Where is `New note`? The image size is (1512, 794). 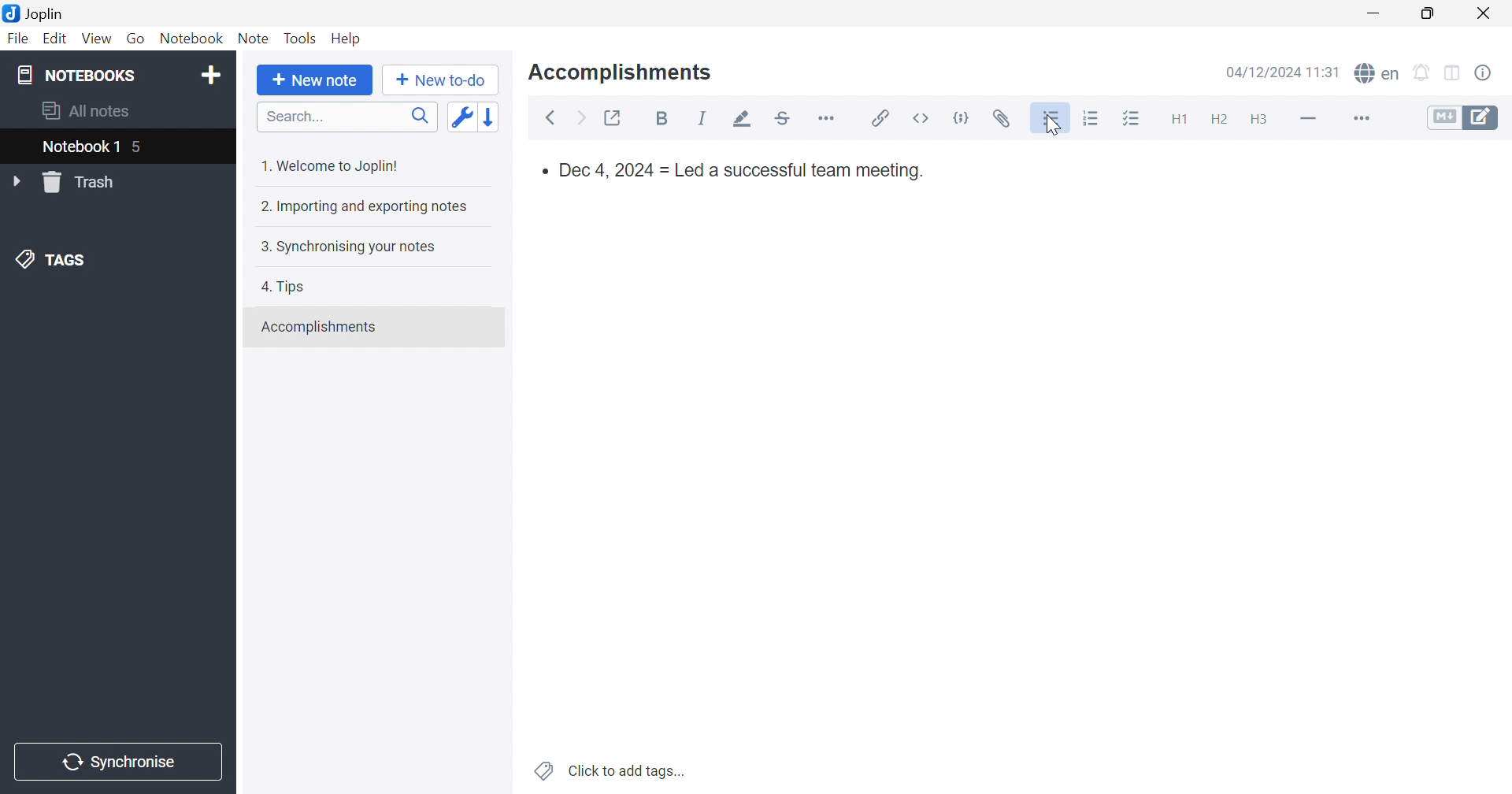 New note is located at coordinates (316, 80).